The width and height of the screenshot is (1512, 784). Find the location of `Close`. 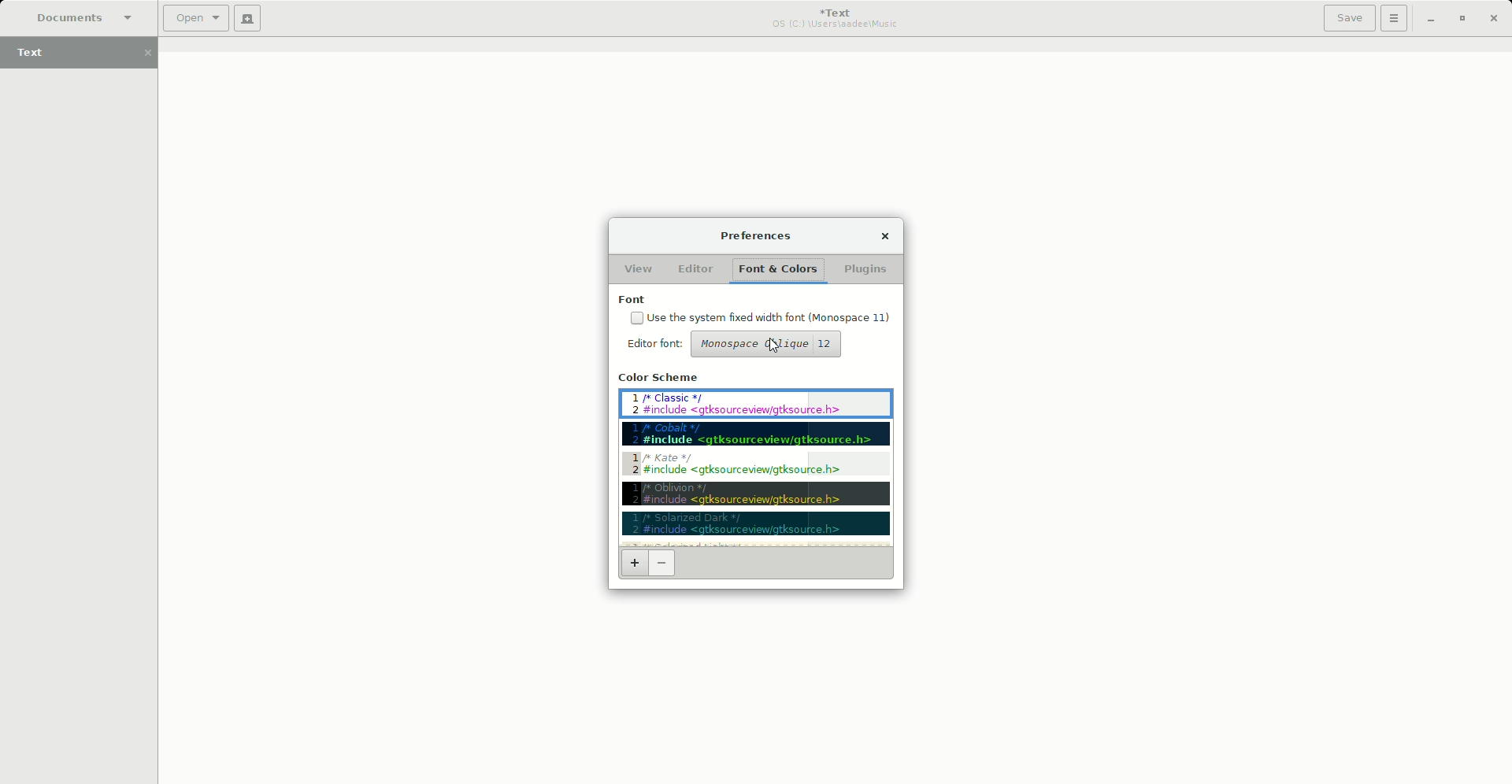

Close is located at coordinates (891, 232).